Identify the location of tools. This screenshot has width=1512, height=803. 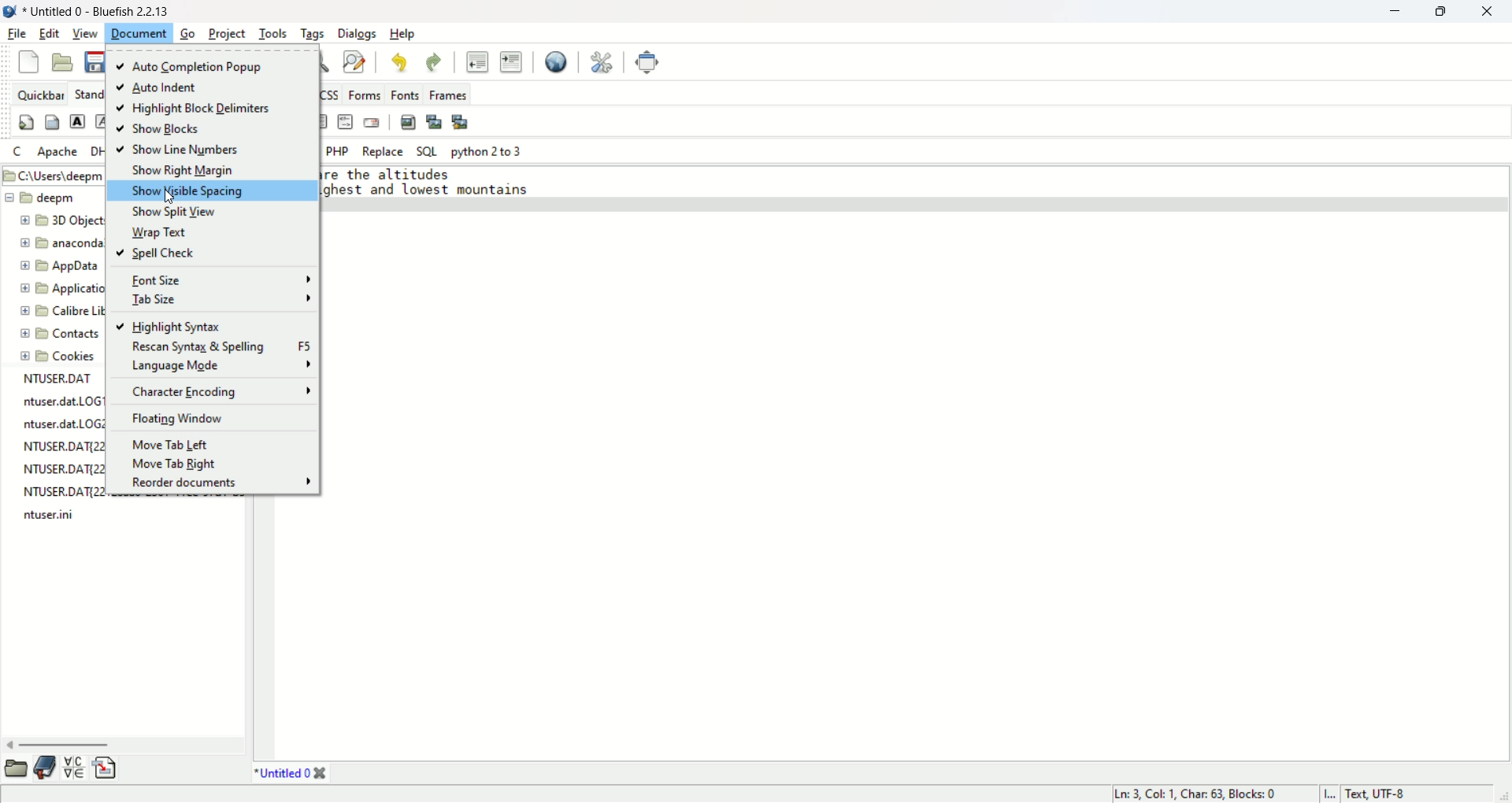
(274, 35).